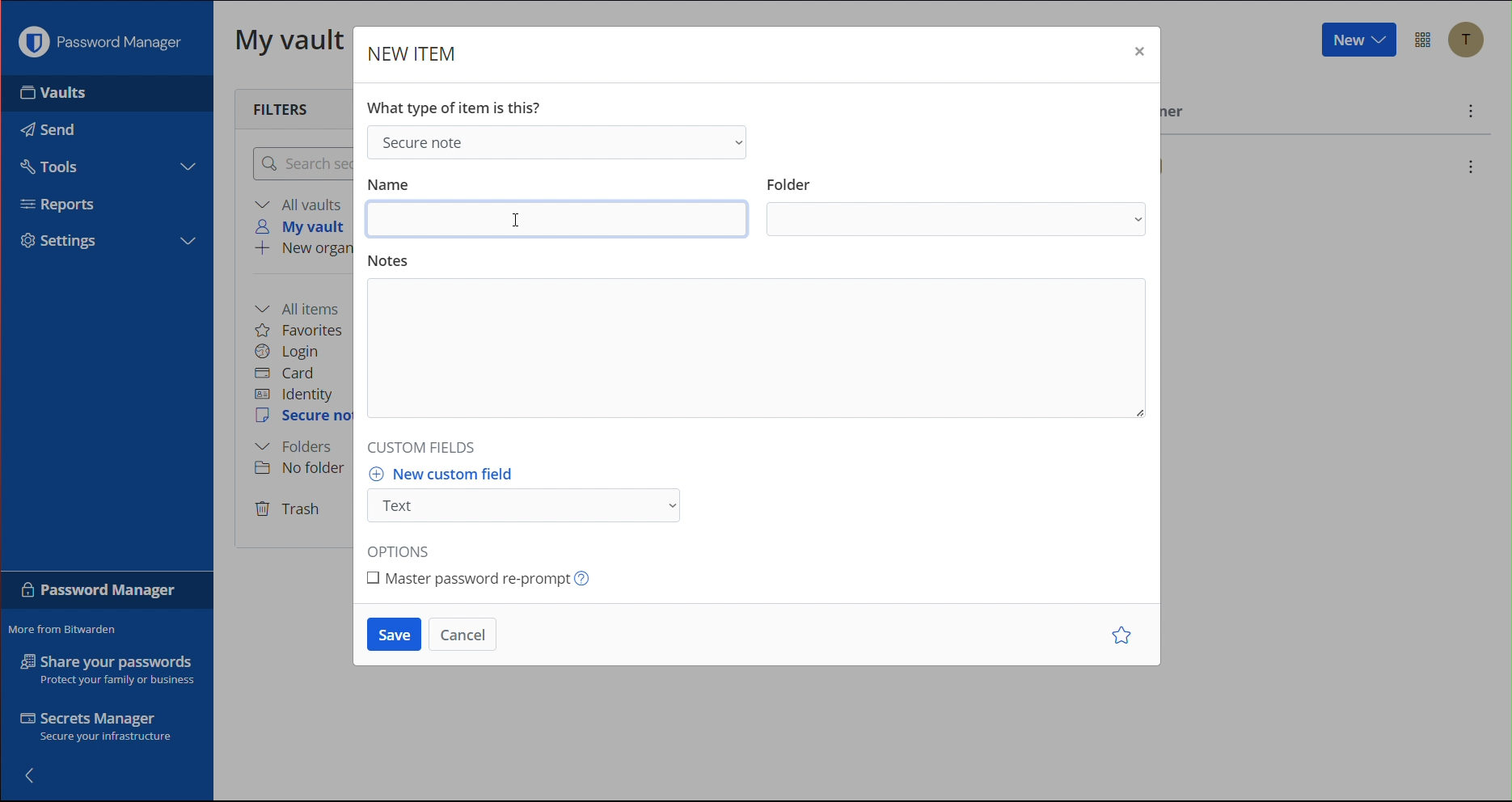 The image size is (1512, 802). What do you see at coordinates (405, 547) in the screenshot?
I see `Options` at bounding box center [405, 547].